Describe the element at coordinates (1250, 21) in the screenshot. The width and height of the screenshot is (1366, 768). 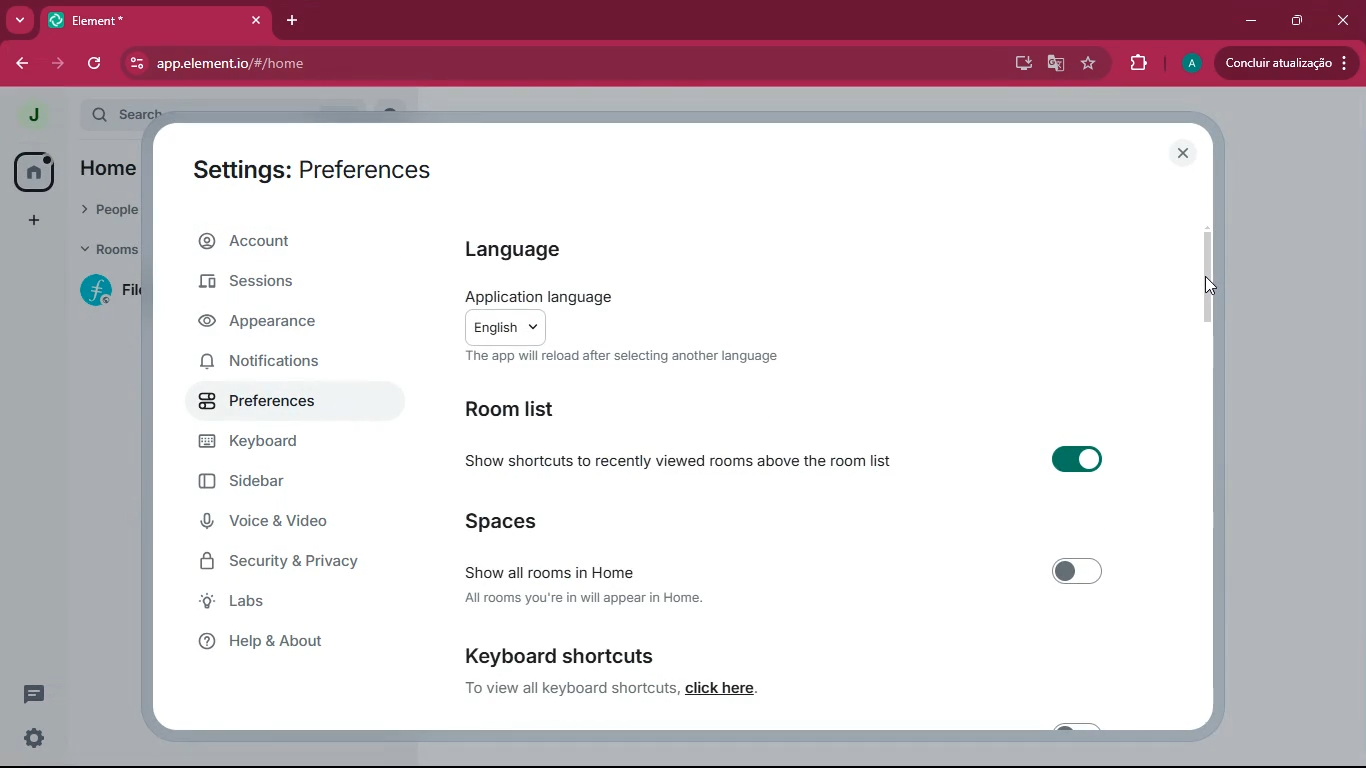
I see `minimize` at that location.